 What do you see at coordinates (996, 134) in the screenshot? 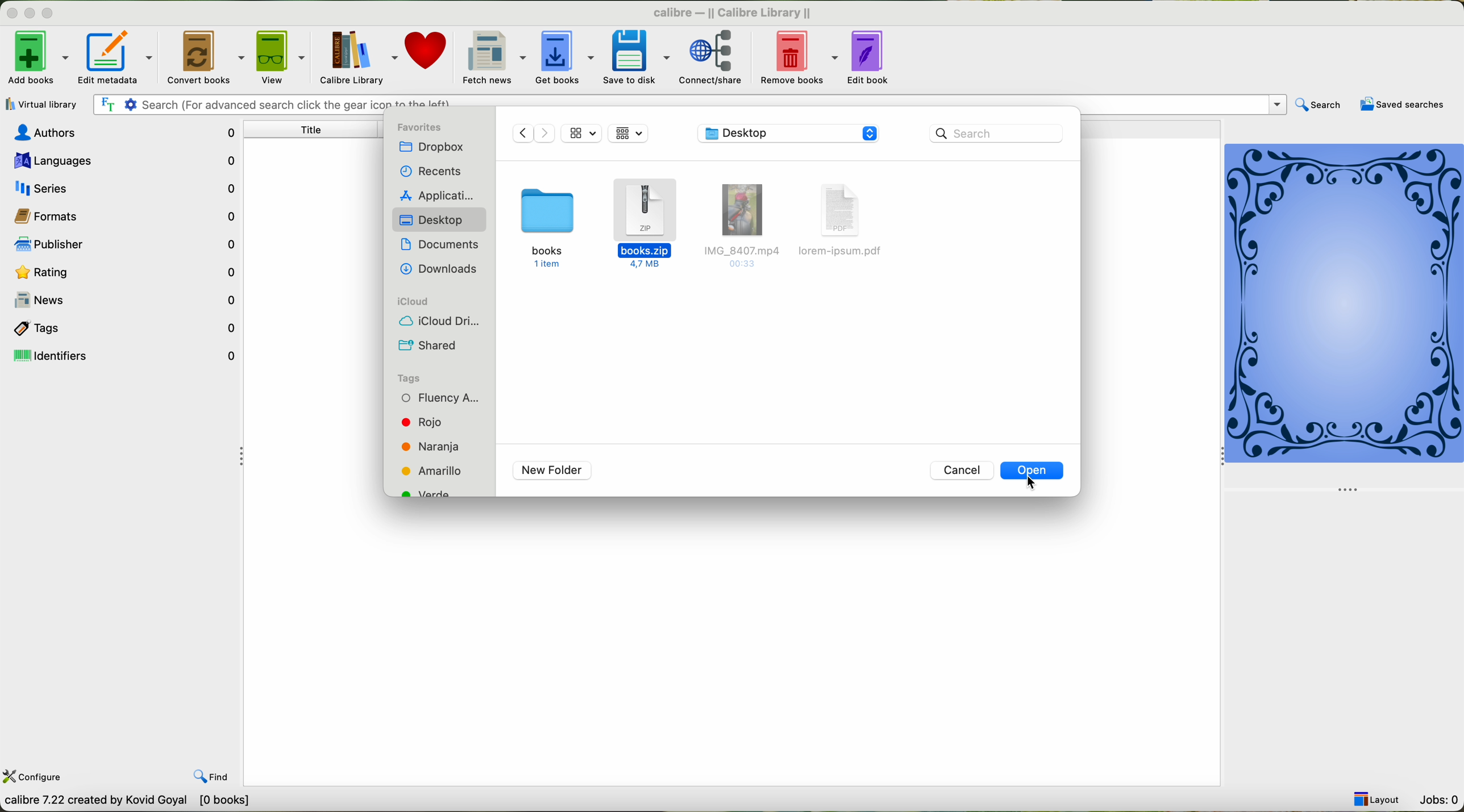
I see `search bar` at bounding box center [996, 134].